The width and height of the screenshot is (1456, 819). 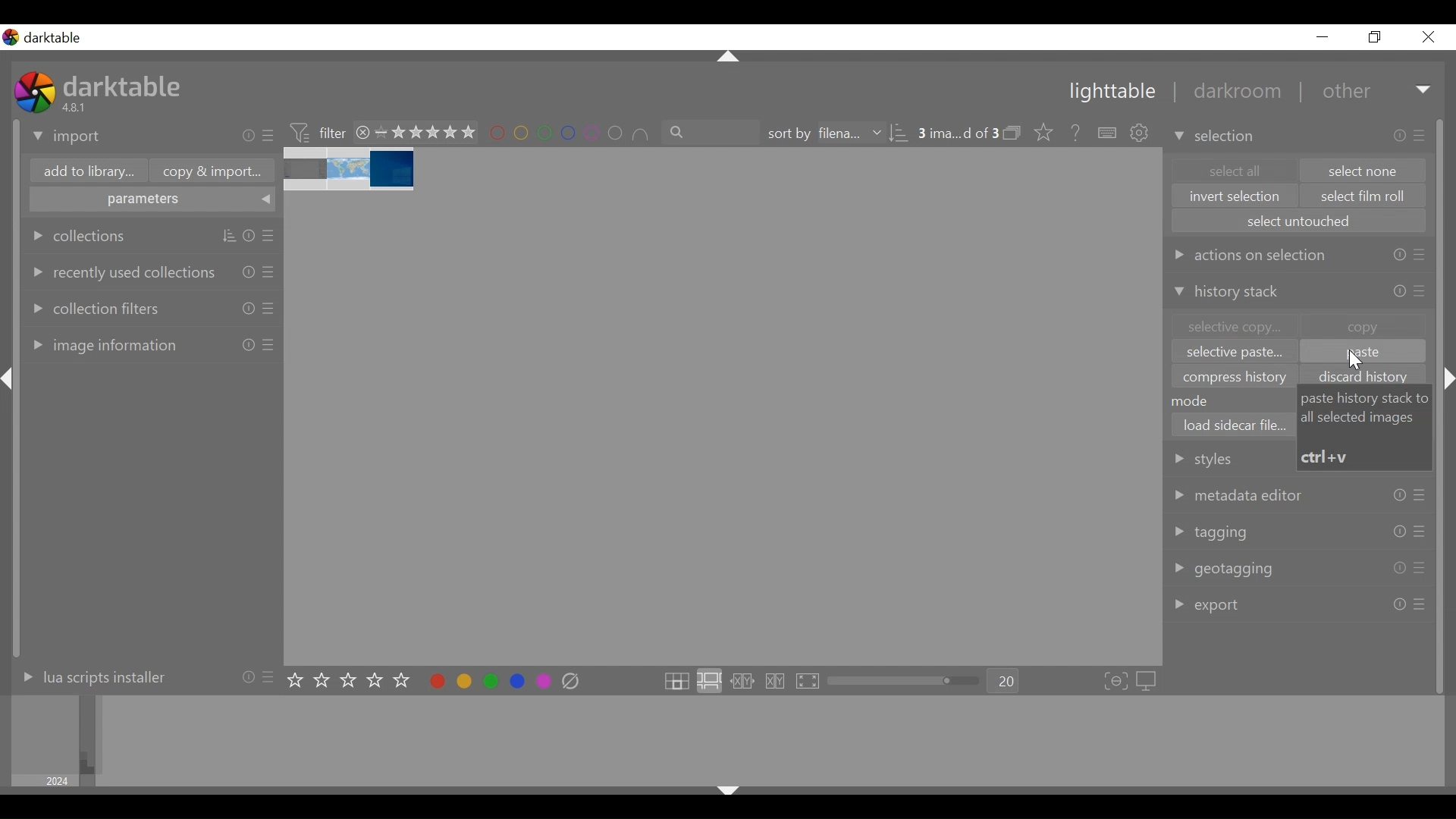 What do you see at coordinates (1420, 605) in the screenshot?
I see `presets` at bounding box center [1420, 605].